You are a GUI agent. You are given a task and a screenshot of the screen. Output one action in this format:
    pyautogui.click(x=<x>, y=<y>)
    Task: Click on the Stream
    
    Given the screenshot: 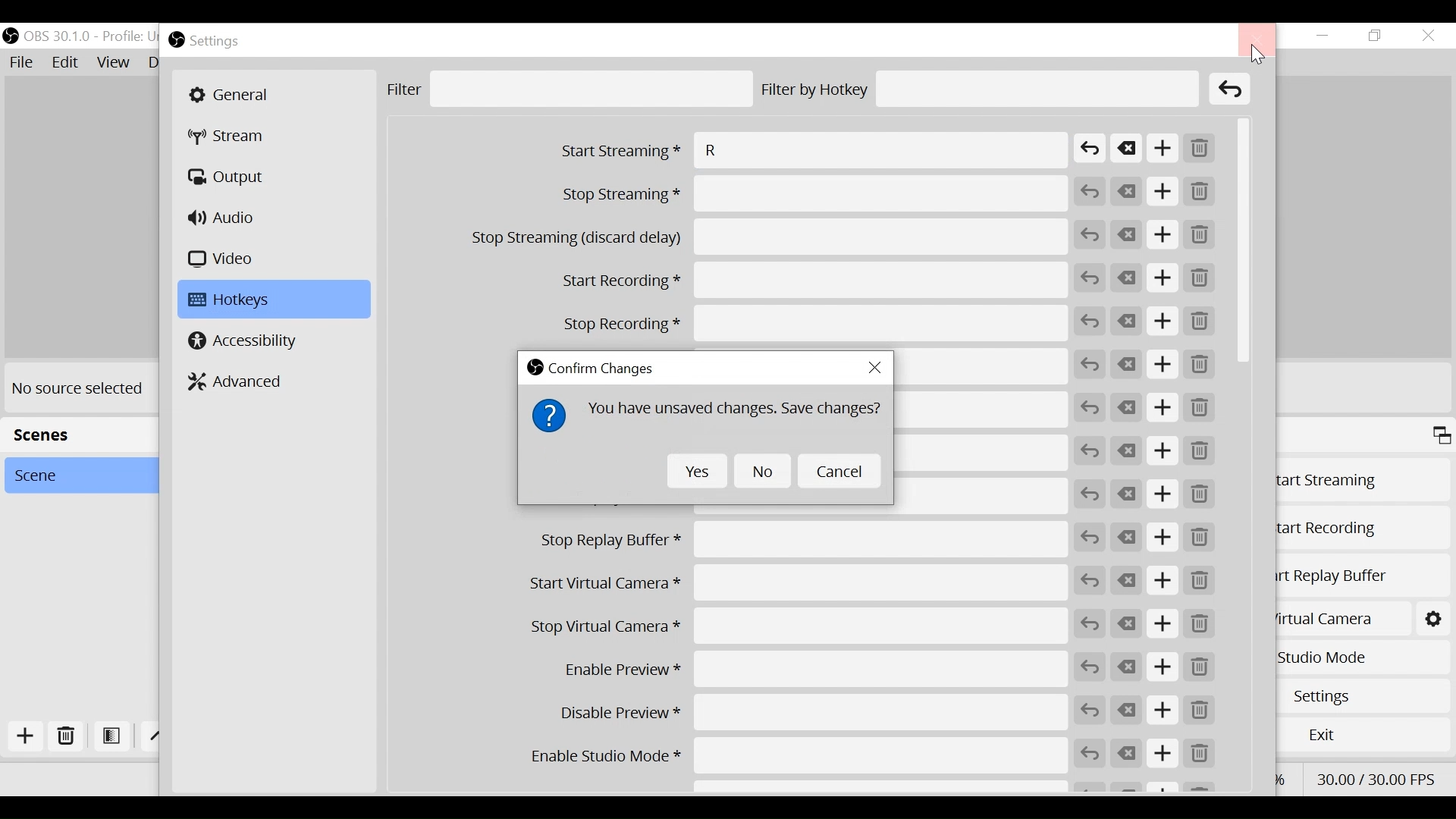 What is the action you would take?
    pyautogui.click(x=231, y=136)
    